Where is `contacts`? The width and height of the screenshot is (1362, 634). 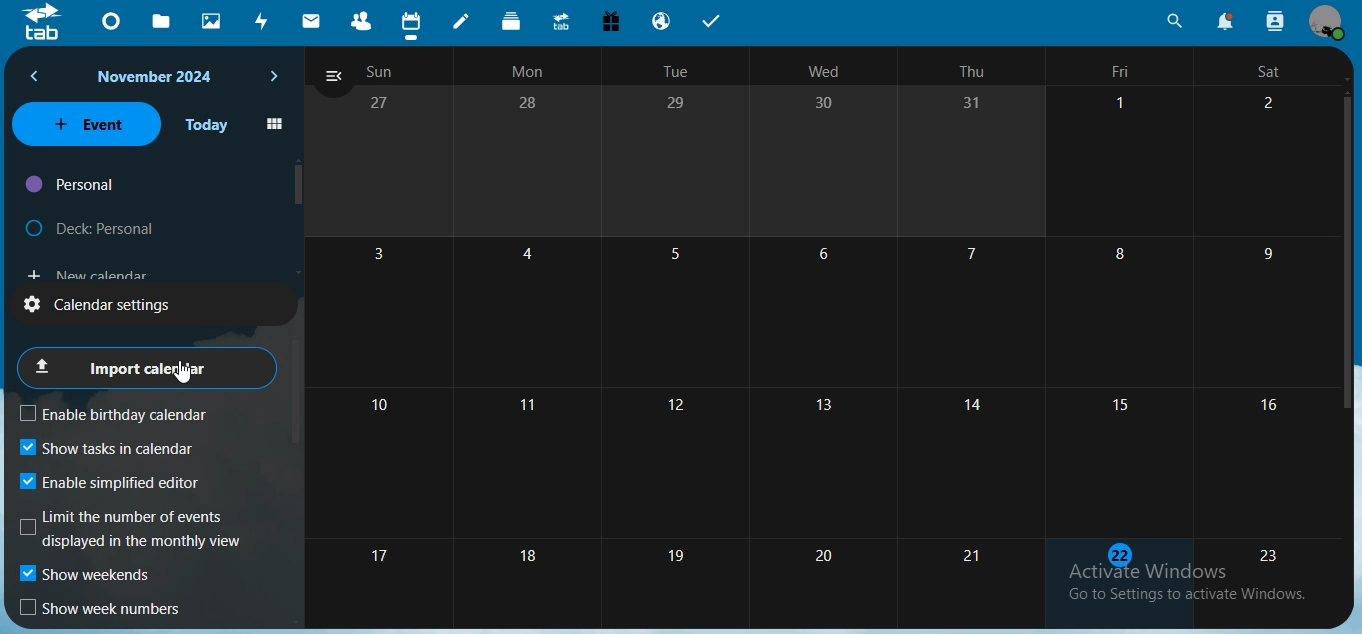 contacts is located at coordinates (361, 20).